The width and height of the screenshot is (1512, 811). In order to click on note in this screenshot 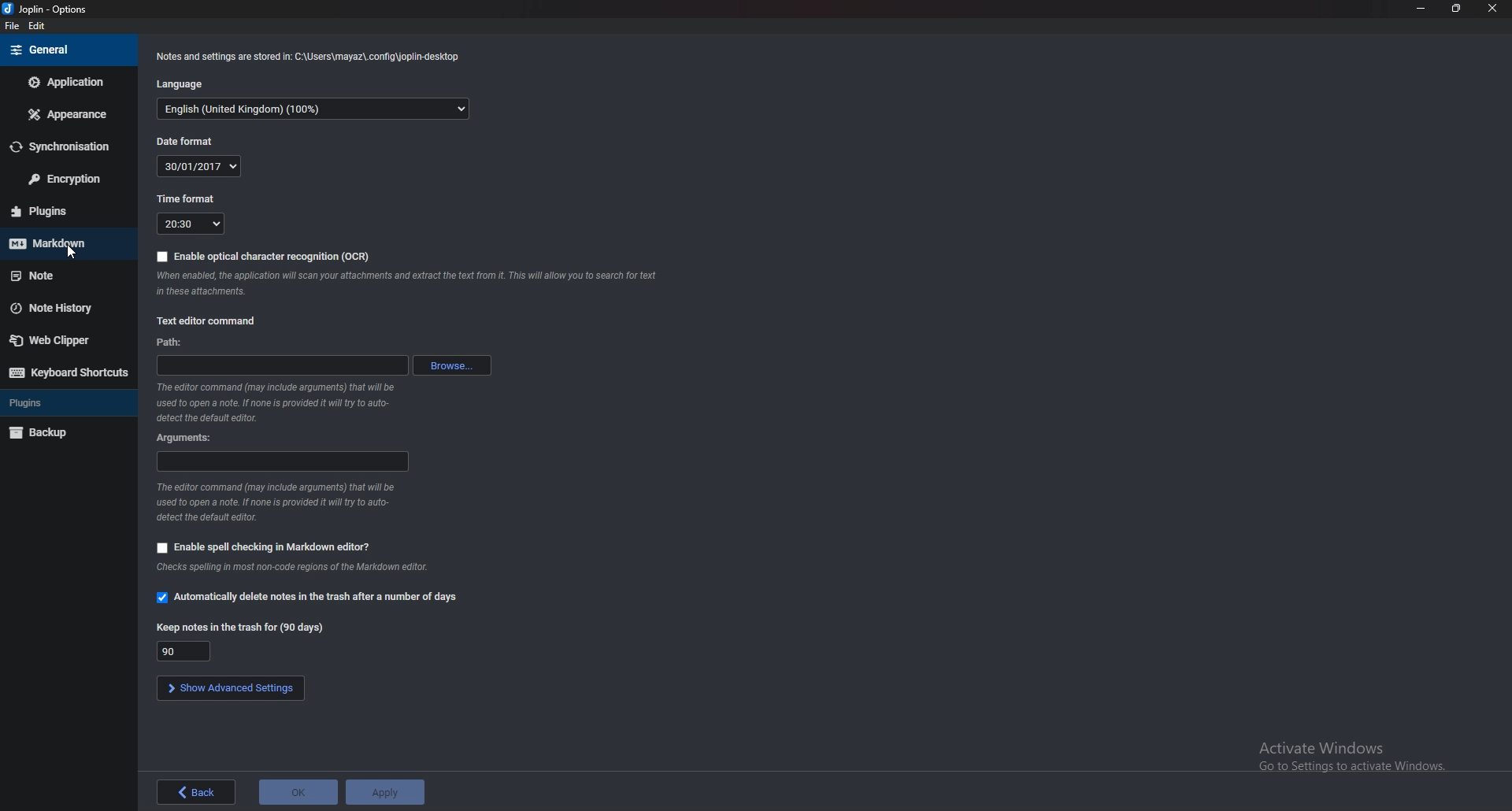, I will do `click(59, 276)`.